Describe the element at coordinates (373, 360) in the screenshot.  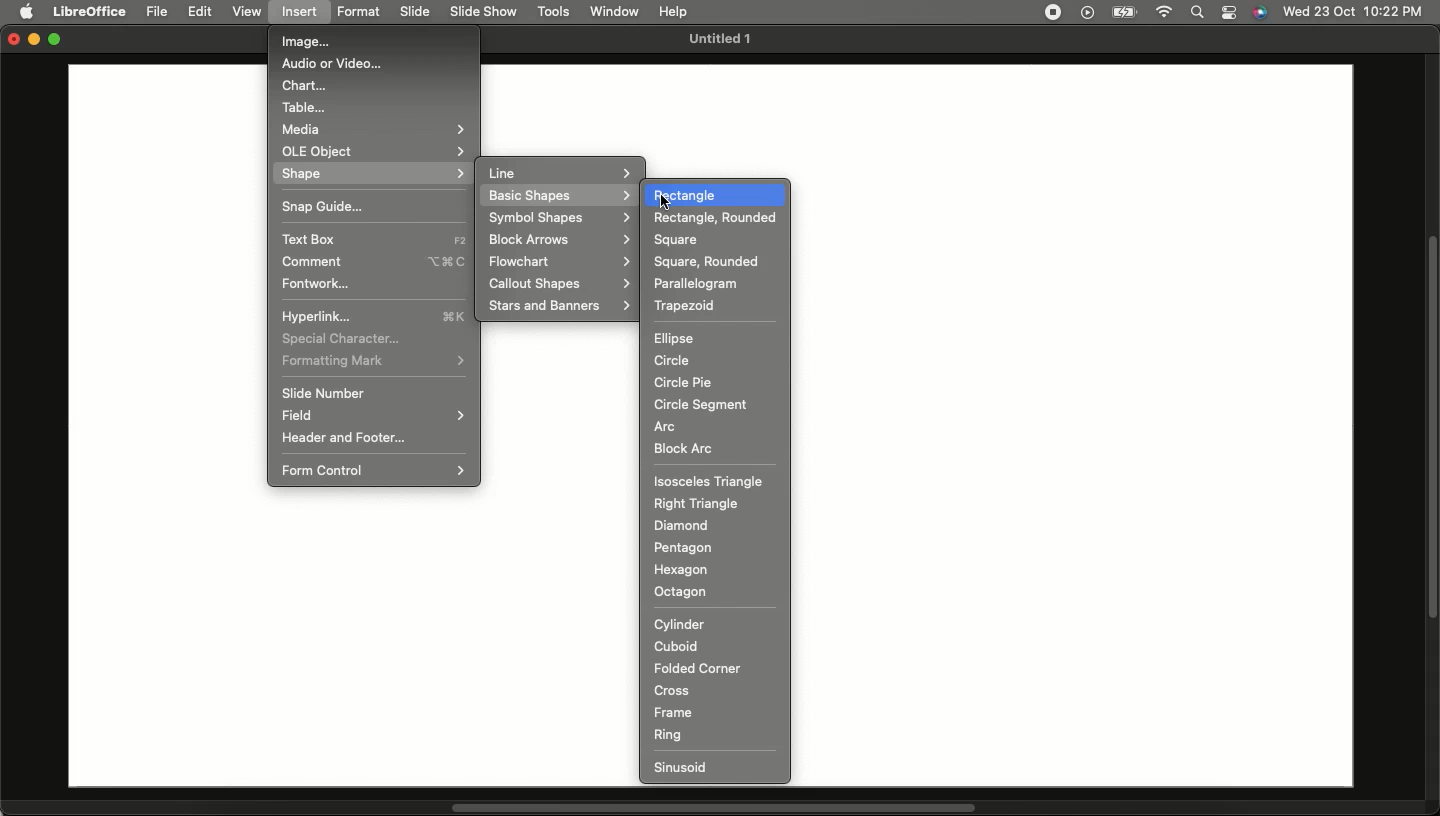
I see `Formating mark` at that location.